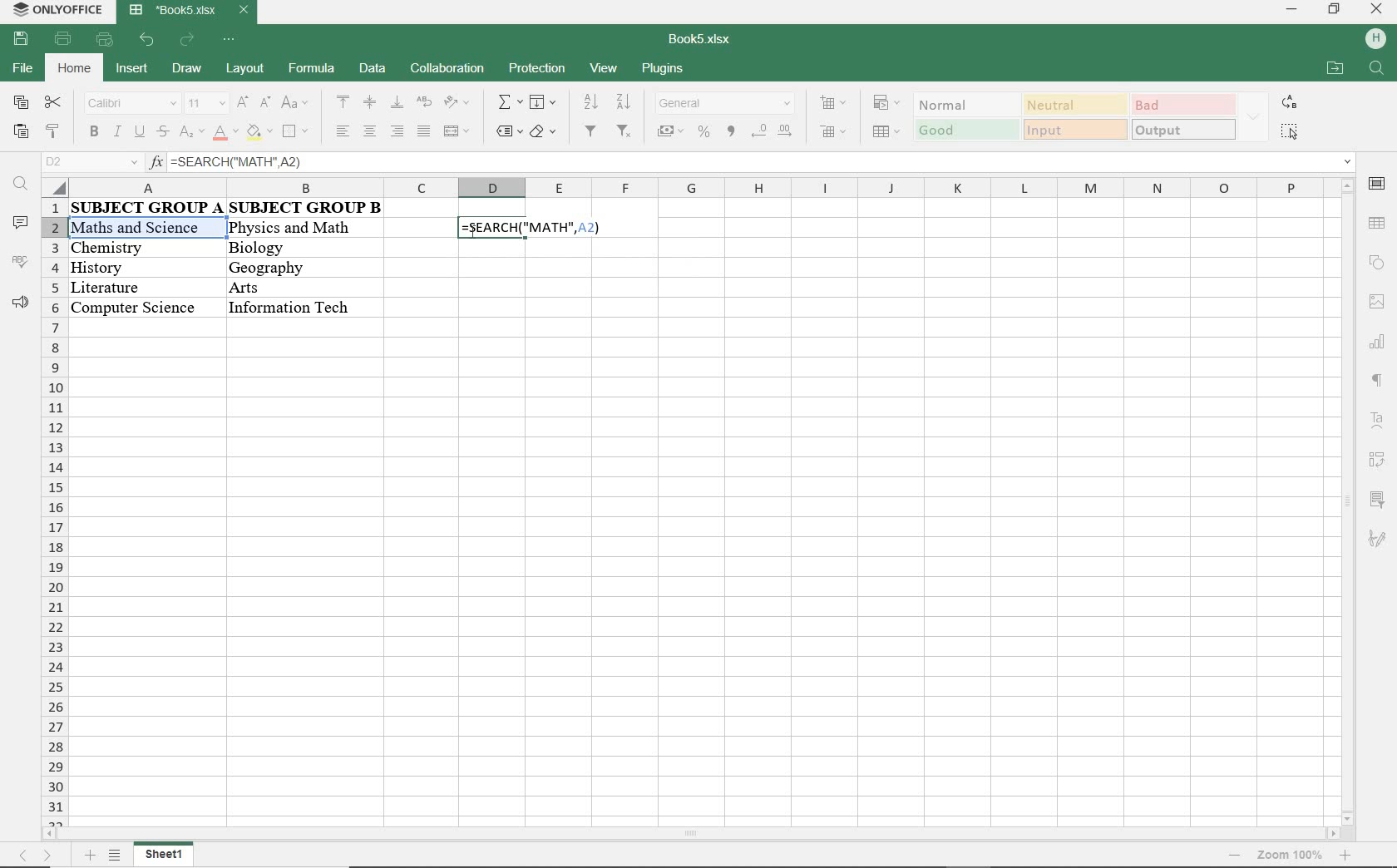  I want to click on output, so click(1184, 130).